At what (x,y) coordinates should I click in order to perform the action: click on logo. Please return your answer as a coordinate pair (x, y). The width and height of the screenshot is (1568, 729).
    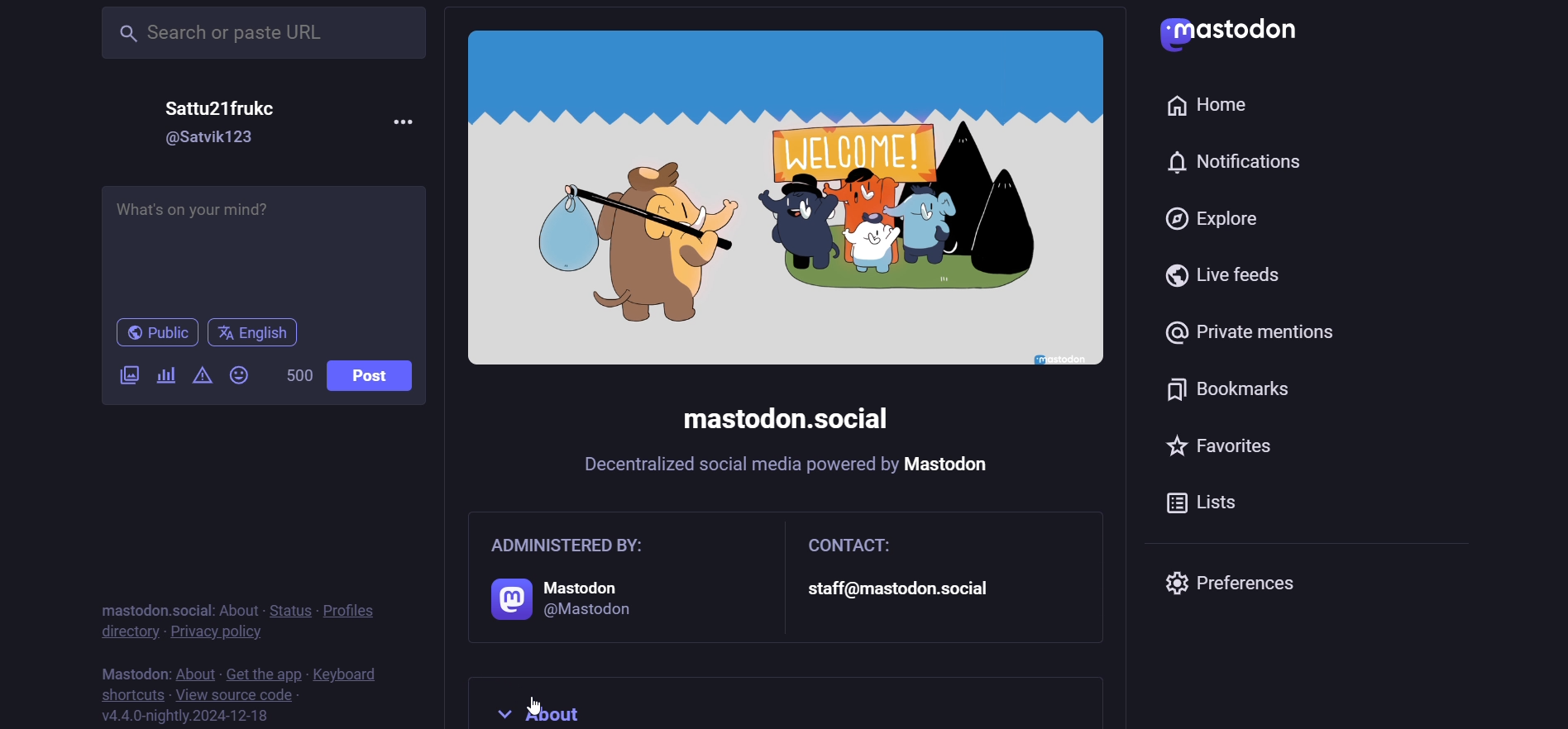
    Looking at the image, I should click on (1241, 34).